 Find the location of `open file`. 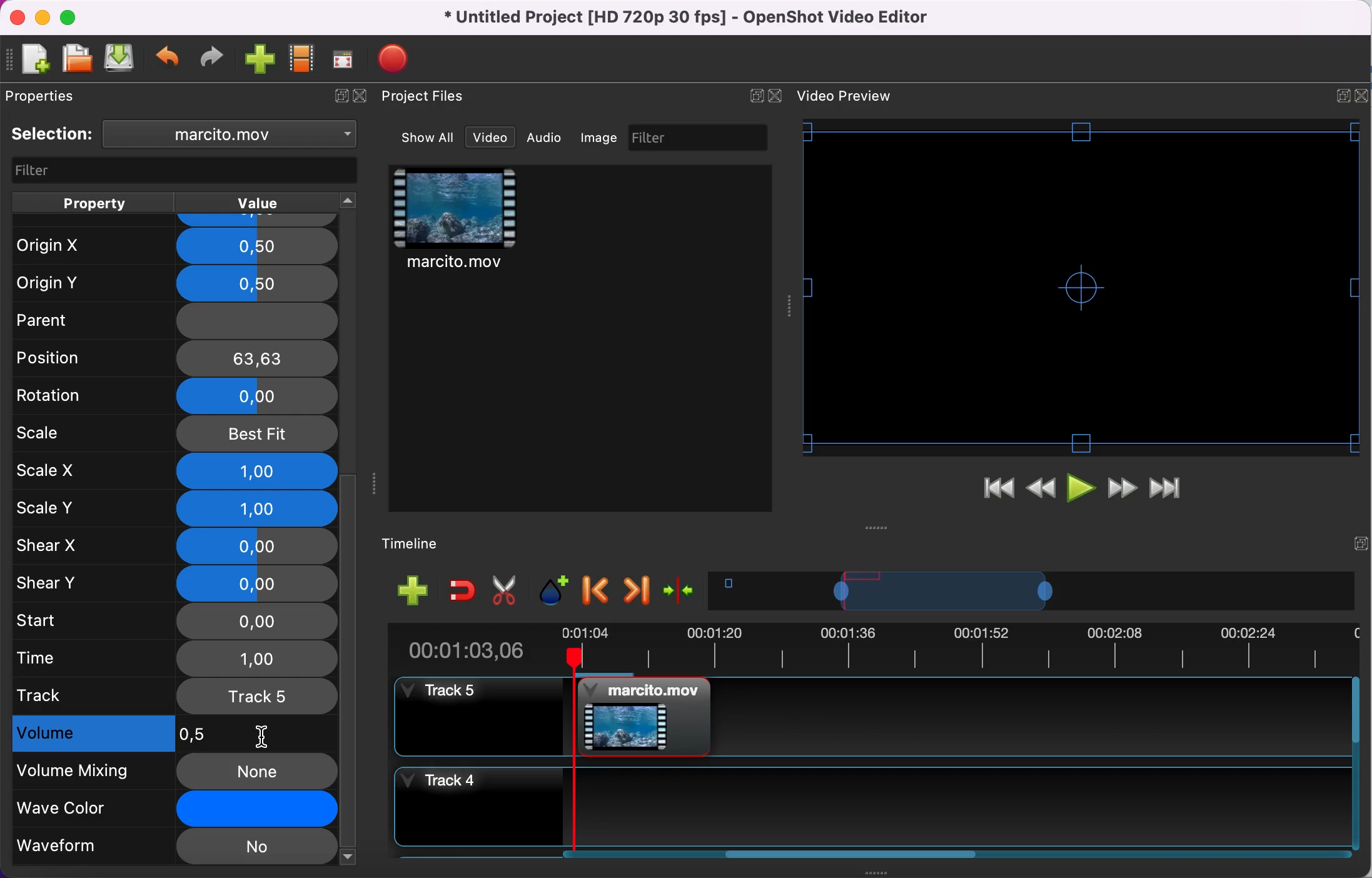

open file is located at coordinates (76, 59).